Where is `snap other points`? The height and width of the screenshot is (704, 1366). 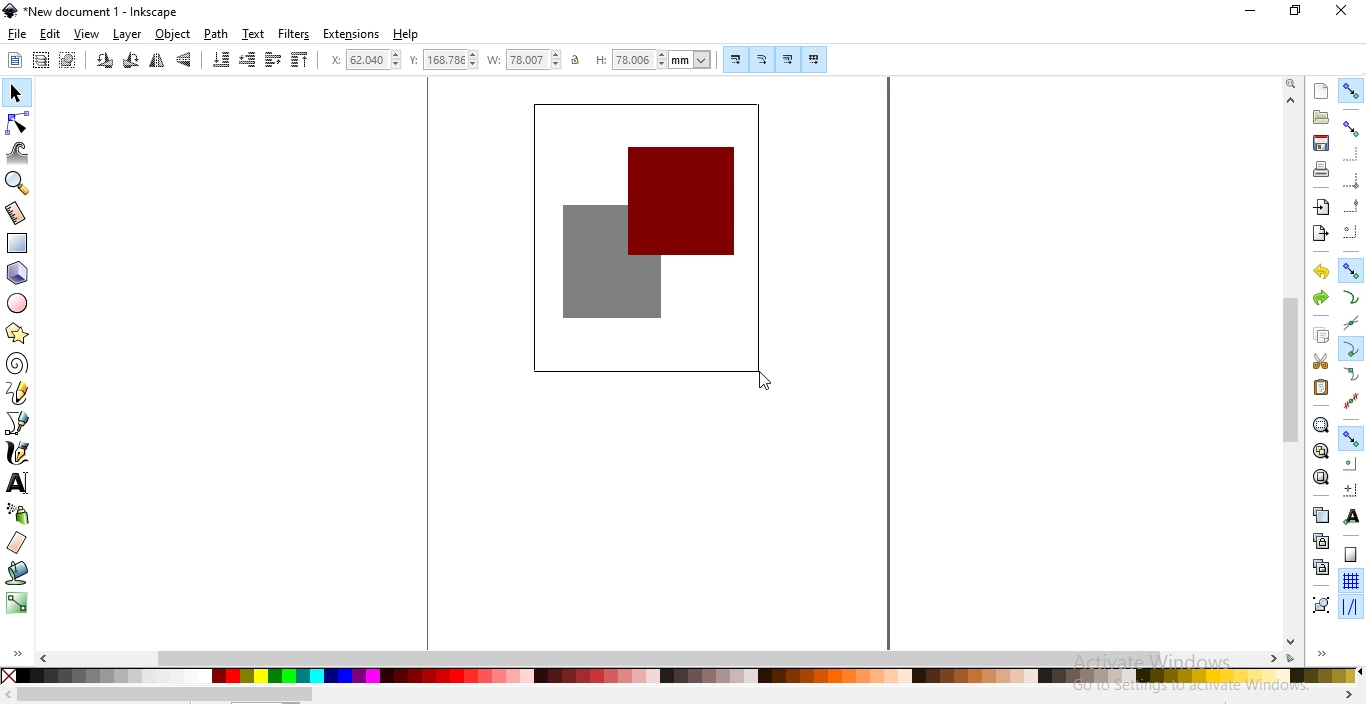
snap other points is located at coordinates (1352, 436).